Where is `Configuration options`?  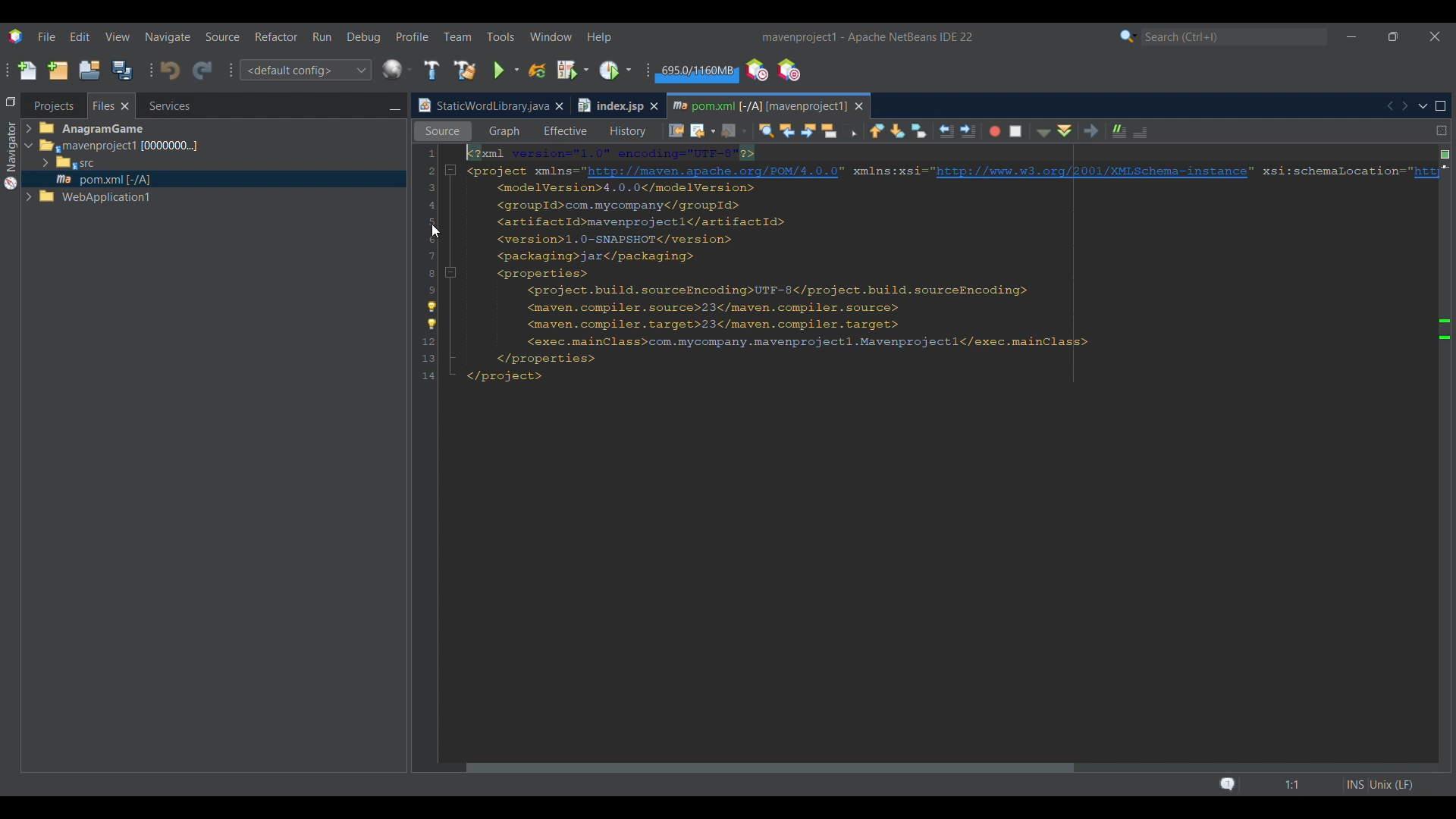
Configuration options is located at coordinates (305, 70).